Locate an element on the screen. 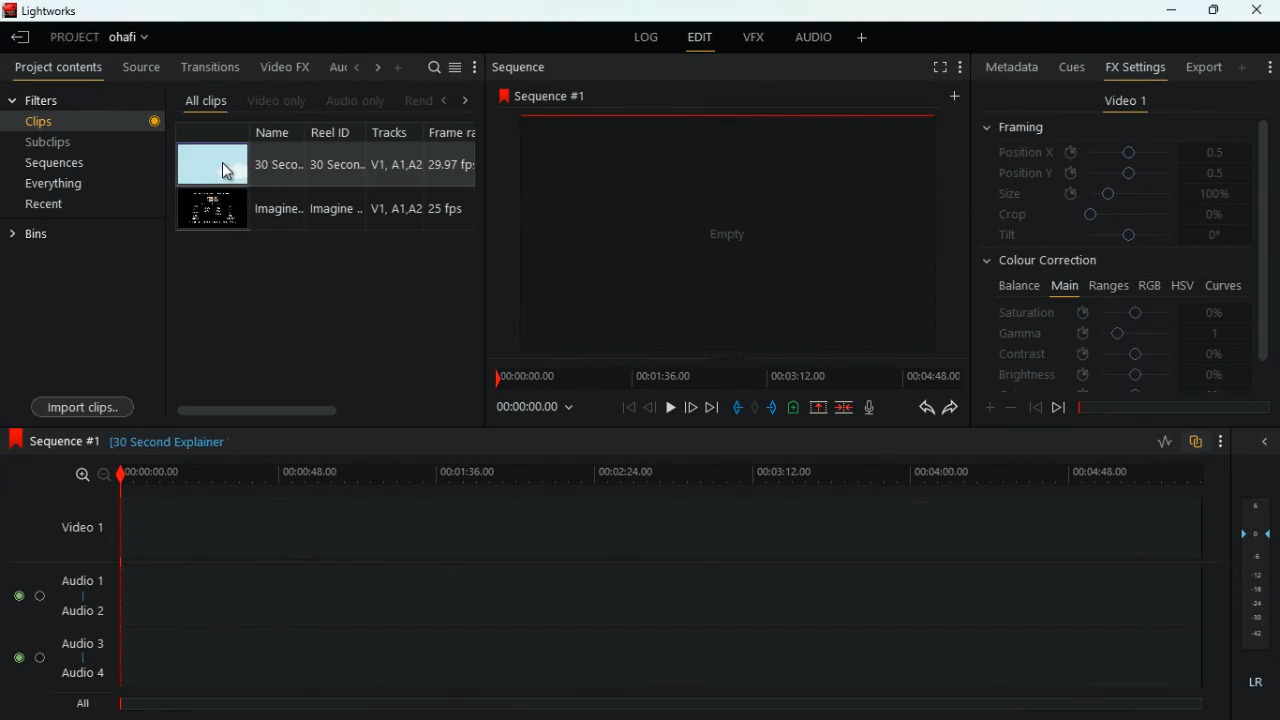 The image size is (1280, 720). right is located at coordinates (374, 69).